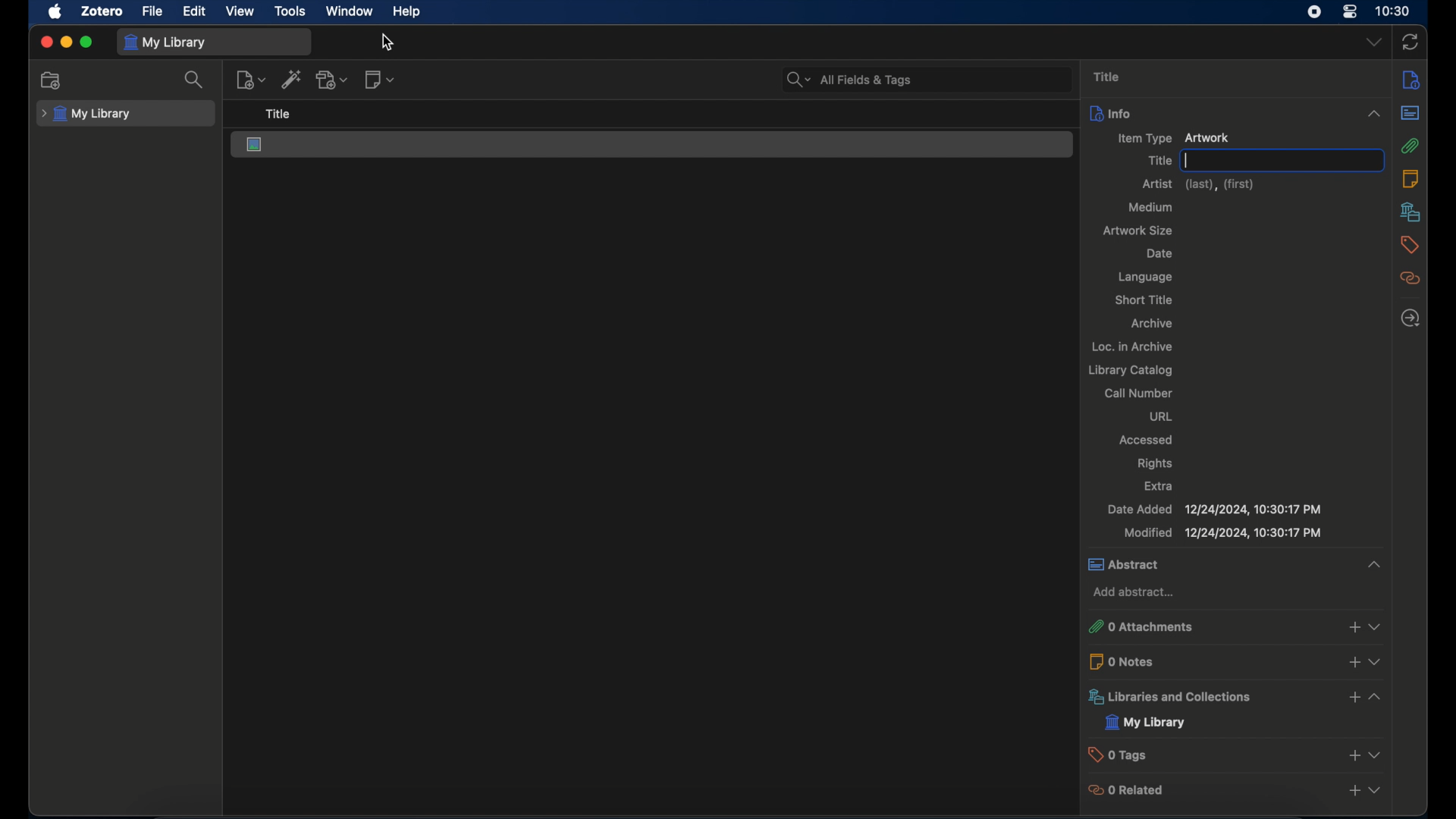 The height and width of the screenshot is (819, 1456). I want to click on notes, so click(1412, 79).